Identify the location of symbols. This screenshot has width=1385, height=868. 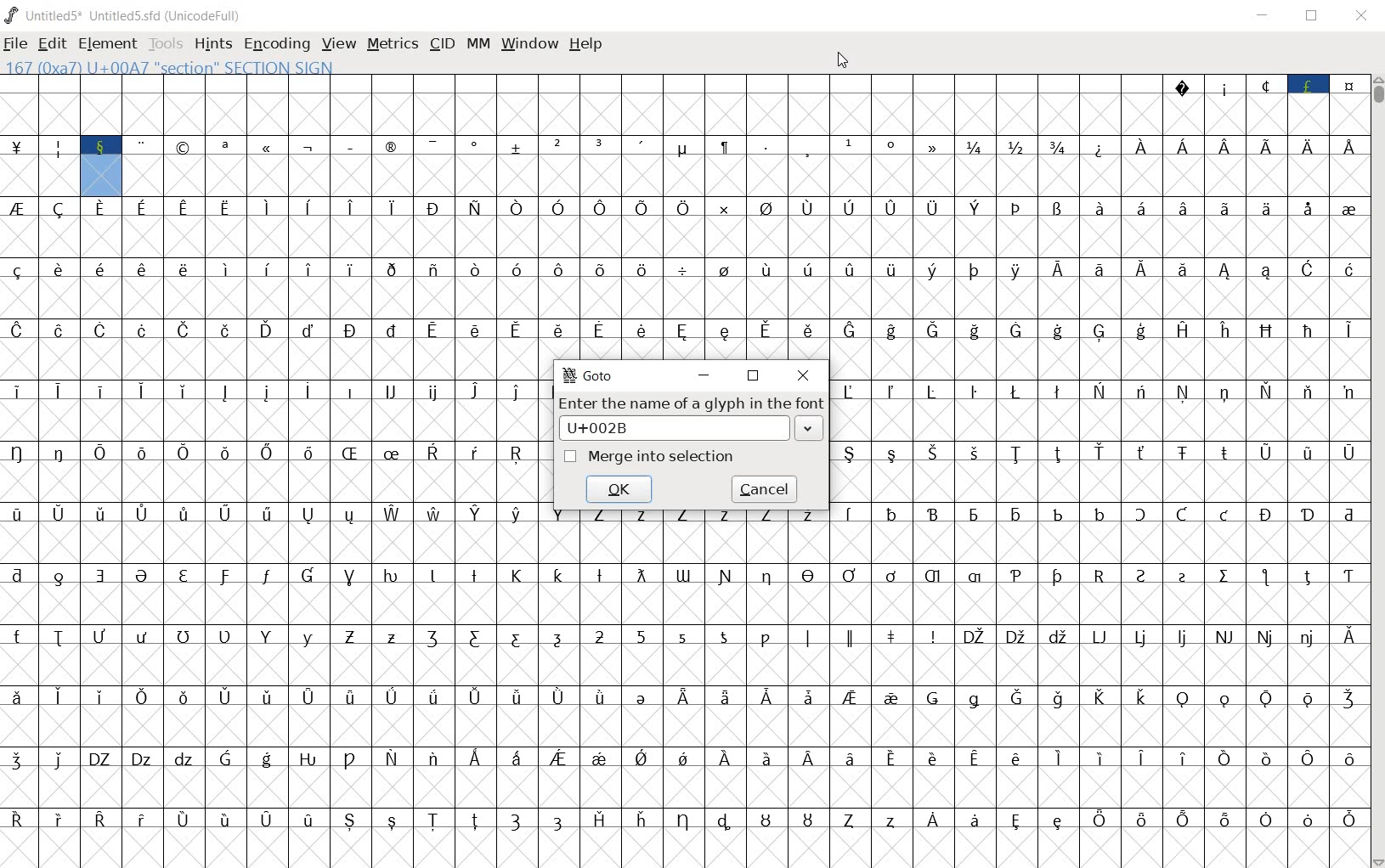
(620, 779).